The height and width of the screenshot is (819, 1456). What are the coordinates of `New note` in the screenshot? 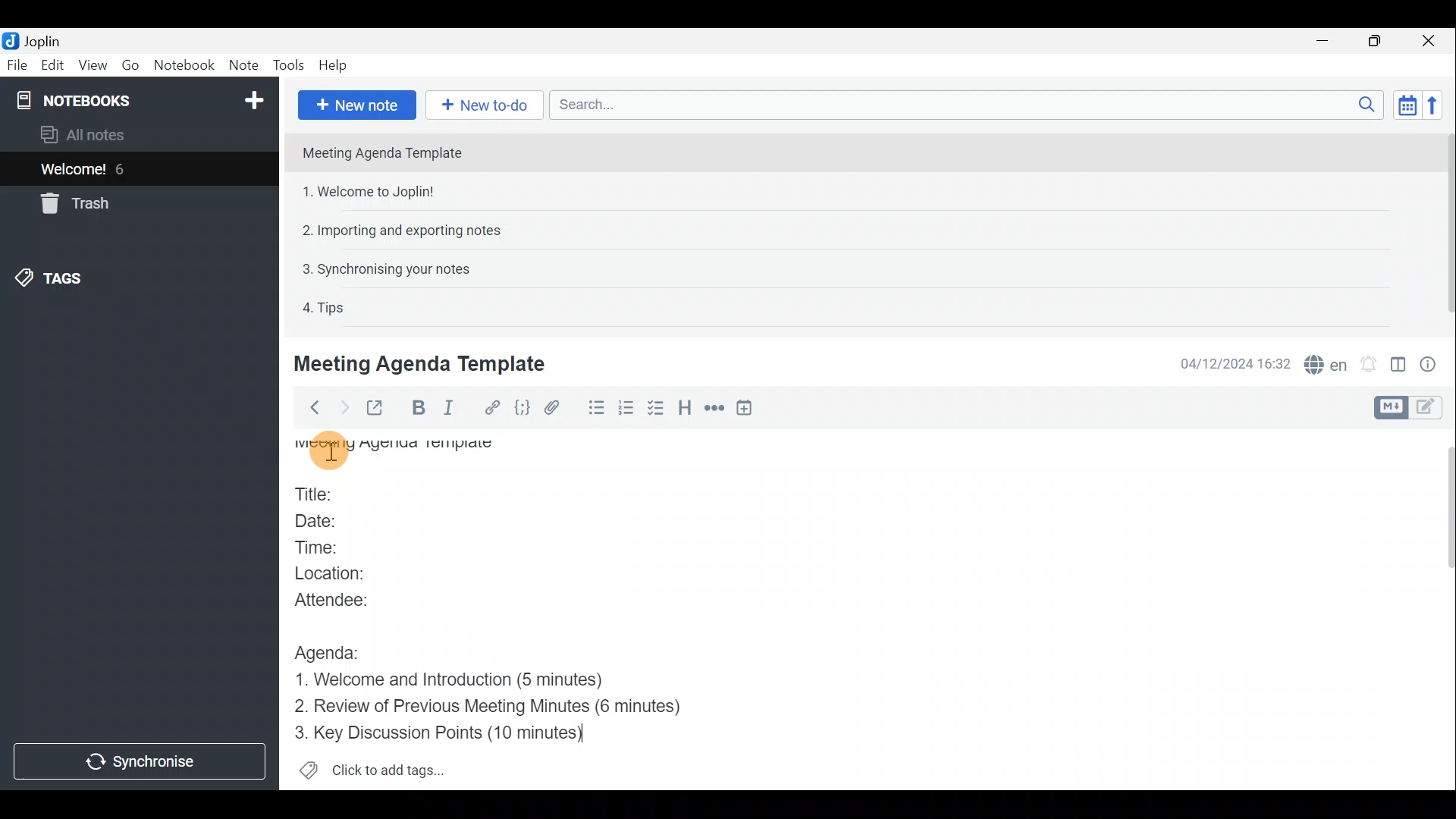 It's located at (357, 105).